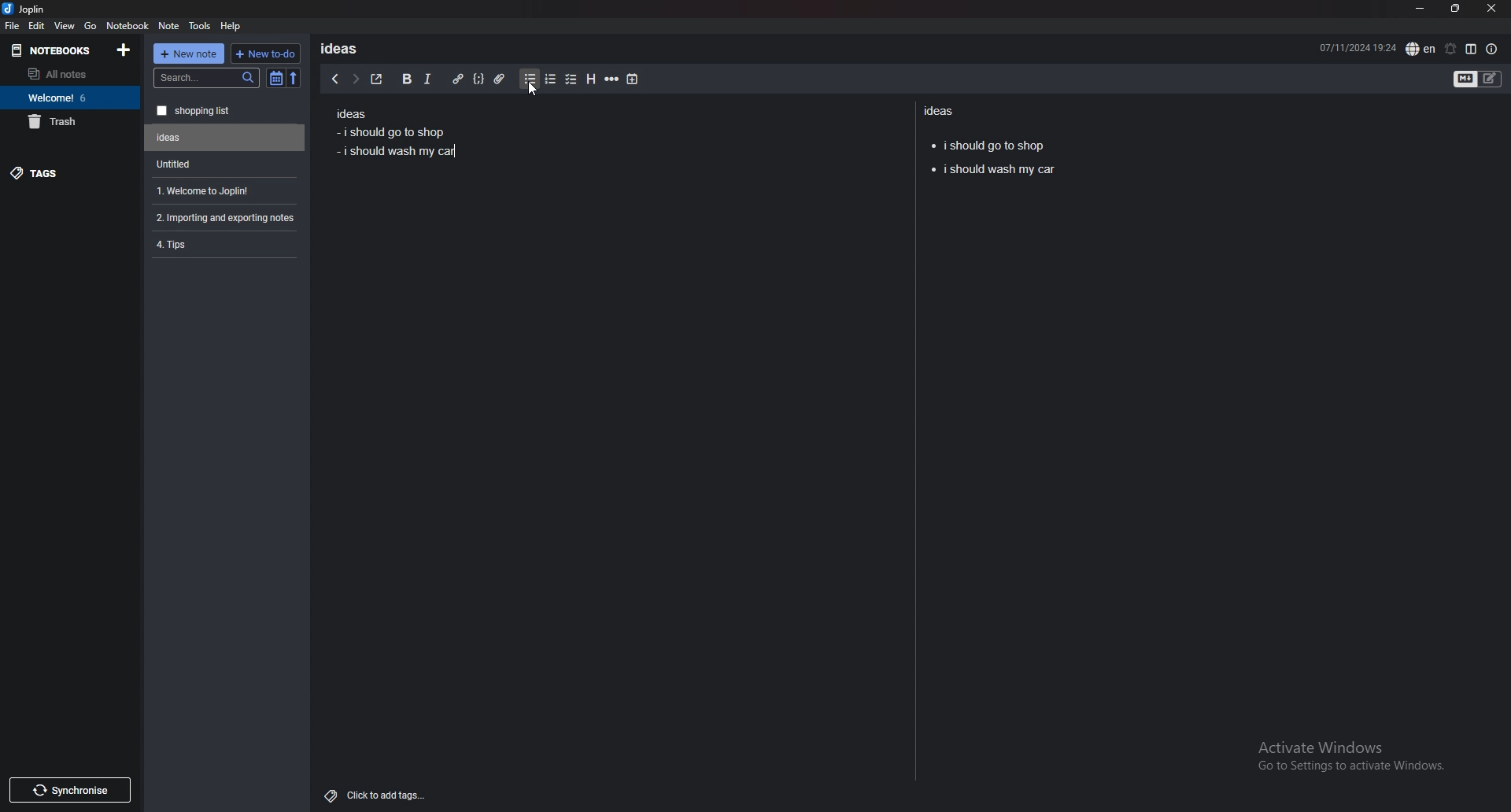 Image resolution: width=1511 pixels, height=812 pixels. Describe the element at coordinates (67, 74) in the screenshot. I see `all notes` at that location.